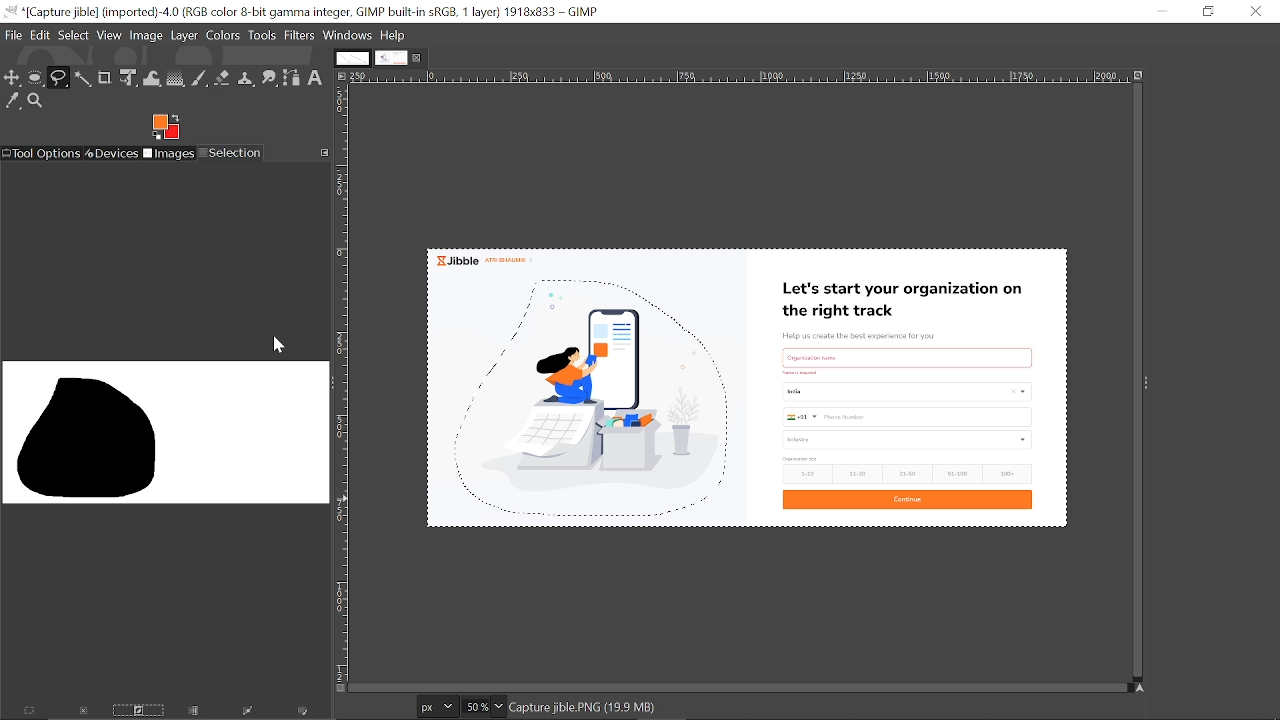 The image size is (1280, 720). I want to click on Move tool, so click(12, 78).